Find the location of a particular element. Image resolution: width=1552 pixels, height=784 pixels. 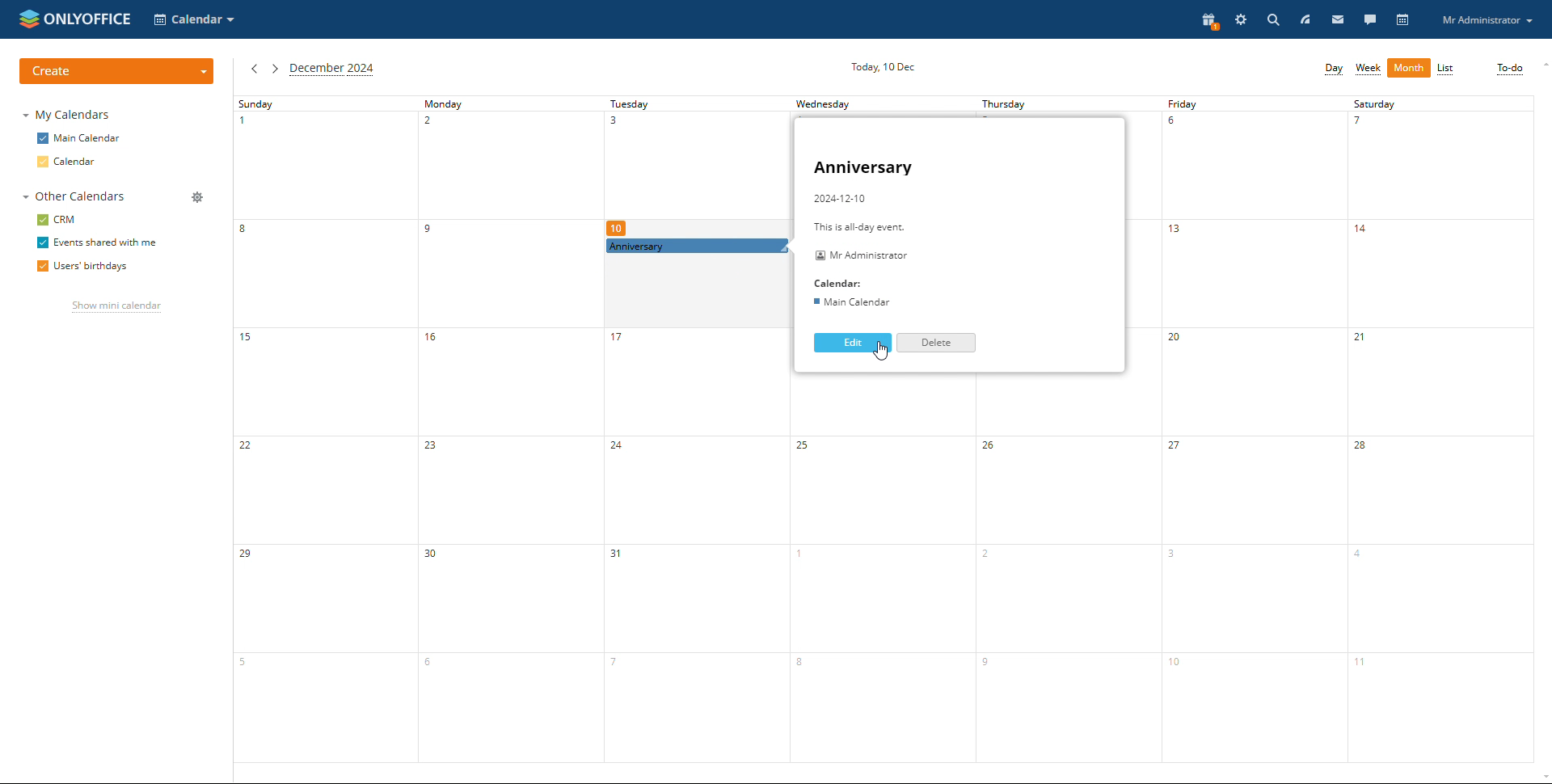

show mini calendar is located at coordinates (115, 307).